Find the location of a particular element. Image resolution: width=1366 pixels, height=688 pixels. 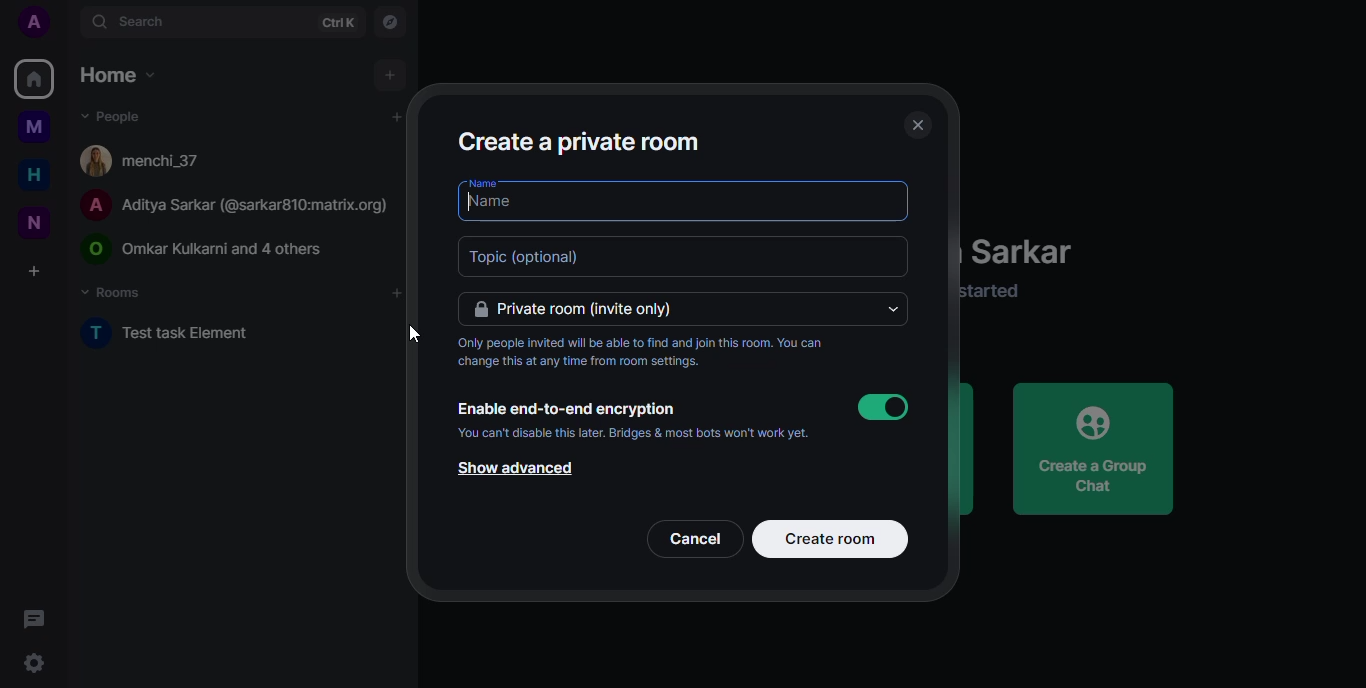

add is located at coordinates (397, 294).